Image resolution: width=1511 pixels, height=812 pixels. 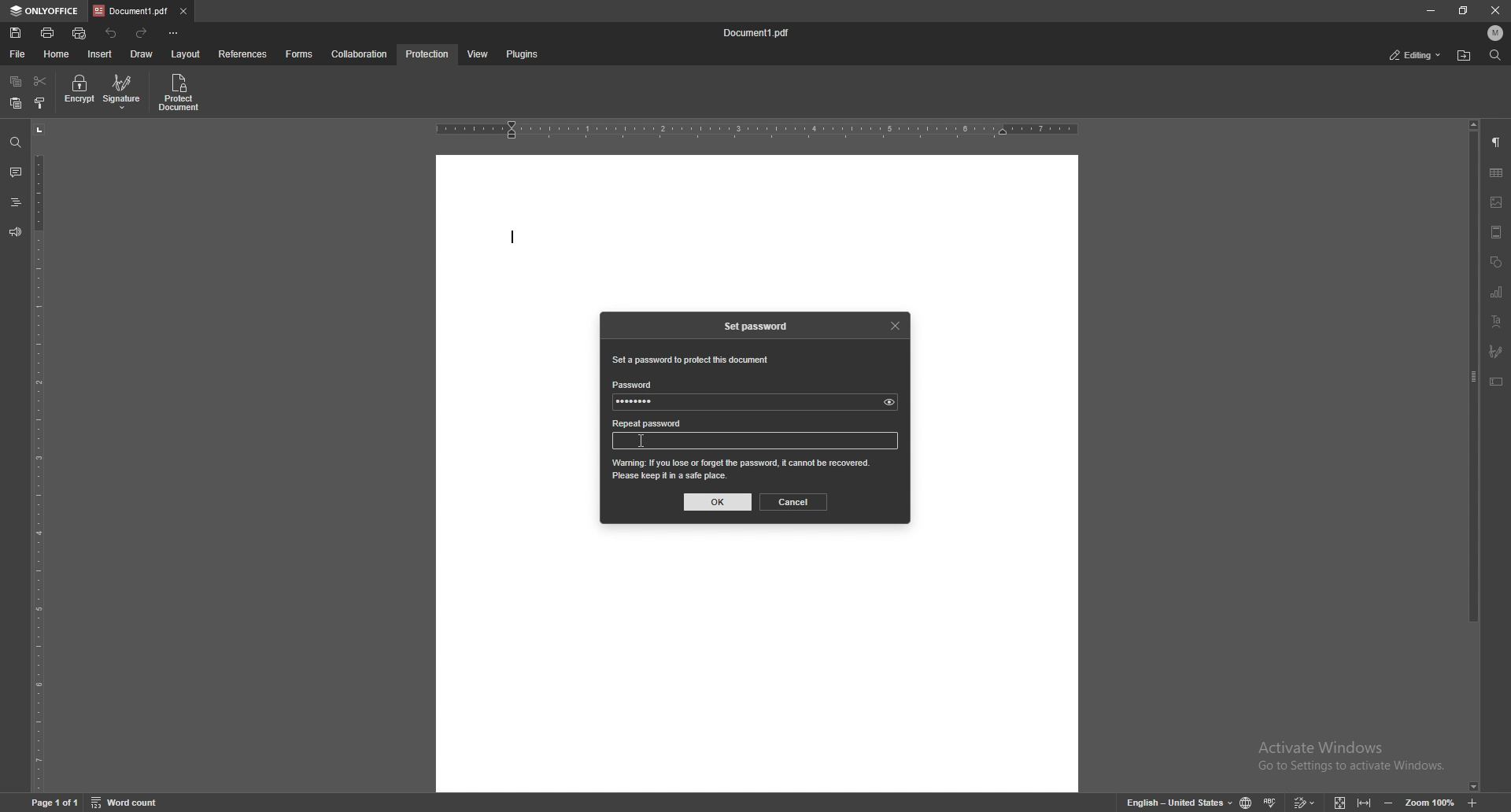 I want to click on fit to screen, so click(x=1340, y=802).